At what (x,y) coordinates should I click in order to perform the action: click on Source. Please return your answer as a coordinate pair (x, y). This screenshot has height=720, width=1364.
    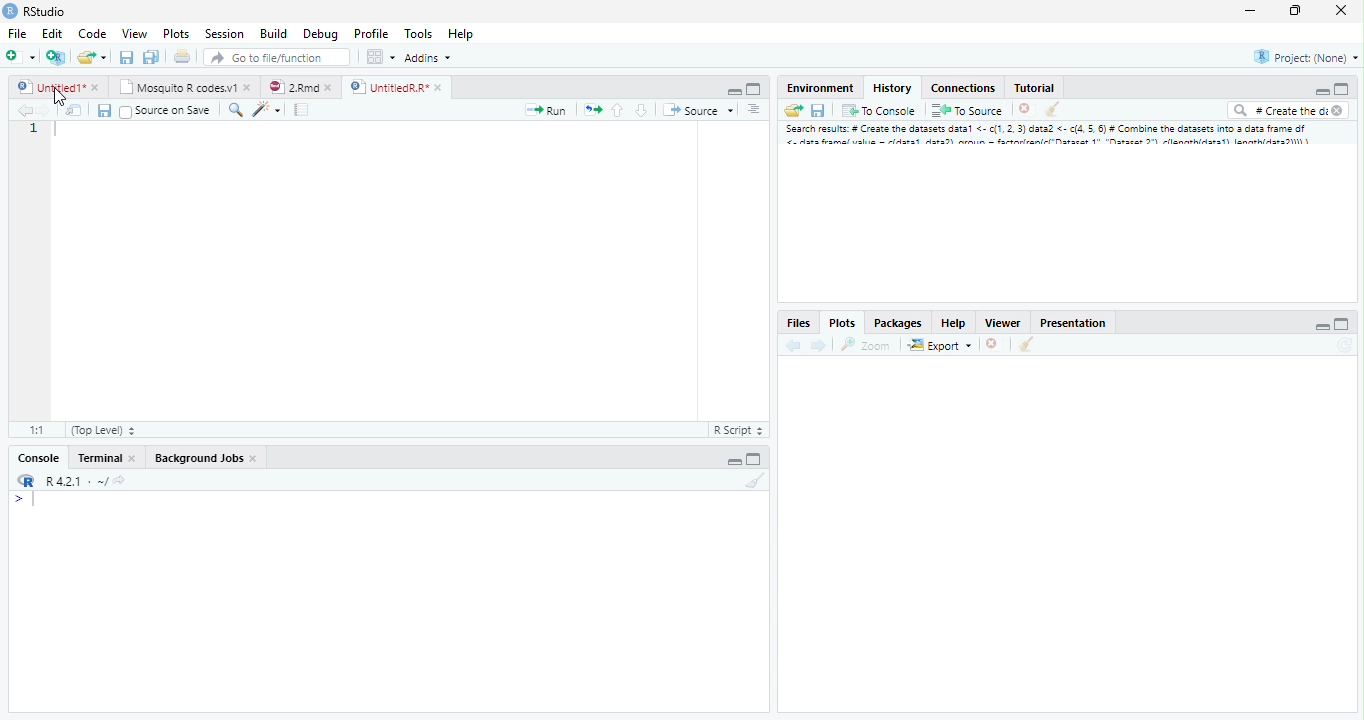
    Looking at the image, I should click on (698, 112).